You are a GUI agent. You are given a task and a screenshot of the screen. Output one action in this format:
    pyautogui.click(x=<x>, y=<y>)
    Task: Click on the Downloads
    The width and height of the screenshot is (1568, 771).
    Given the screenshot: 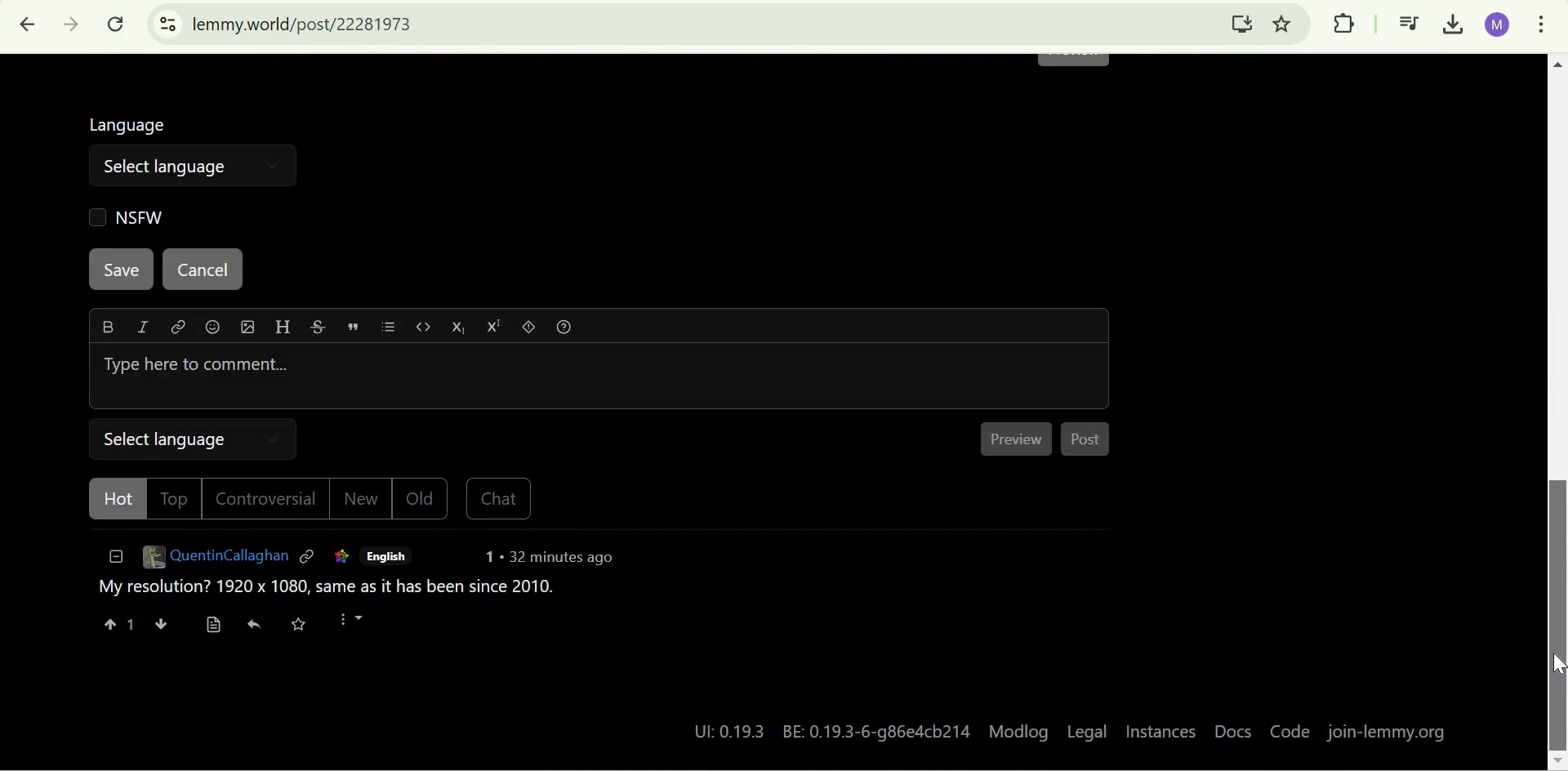 What is the action you would take?
    pyautogui.click(x=1455, y=25)
    